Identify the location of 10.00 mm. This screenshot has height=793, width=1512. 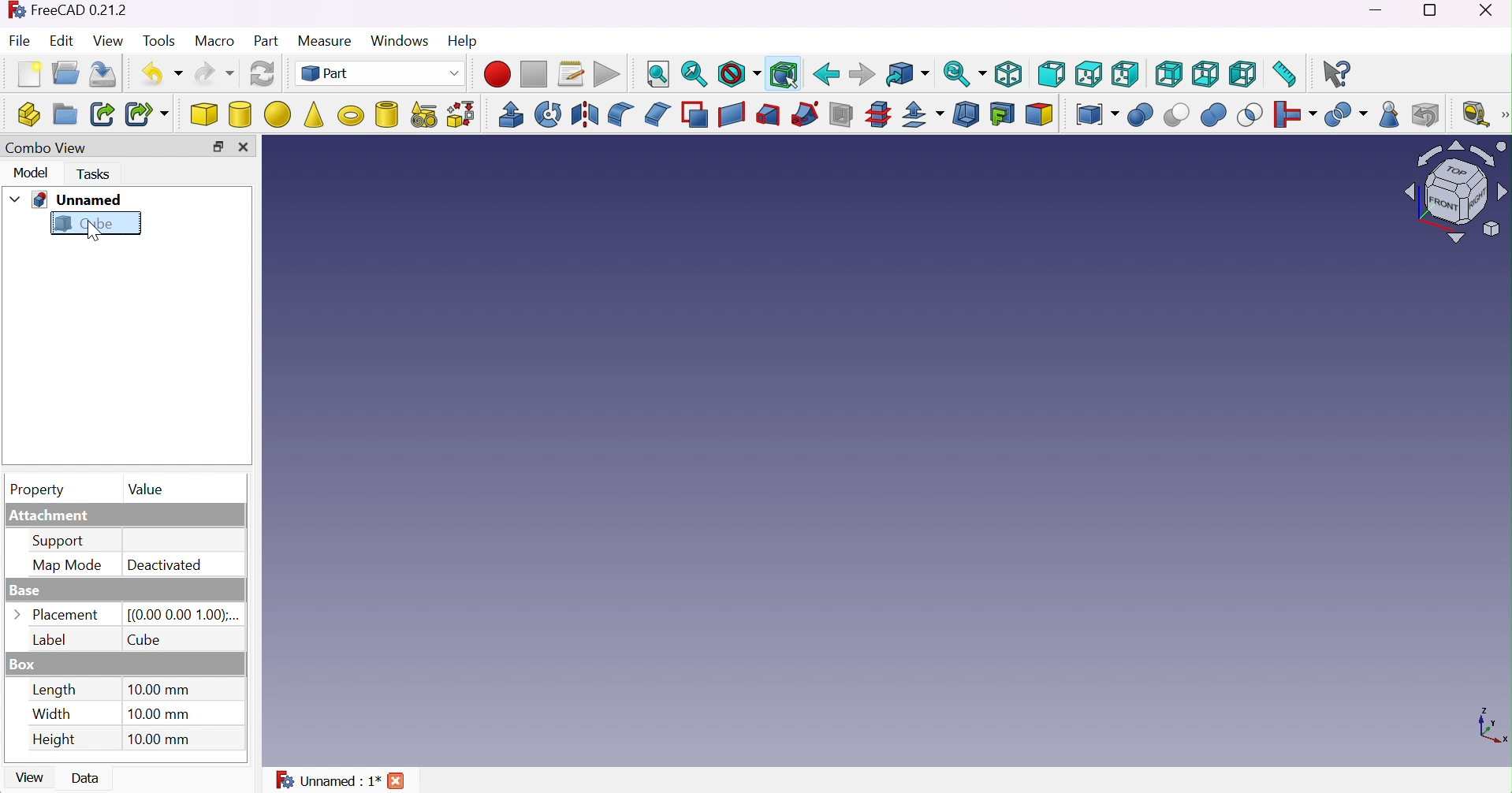
(164, 740).